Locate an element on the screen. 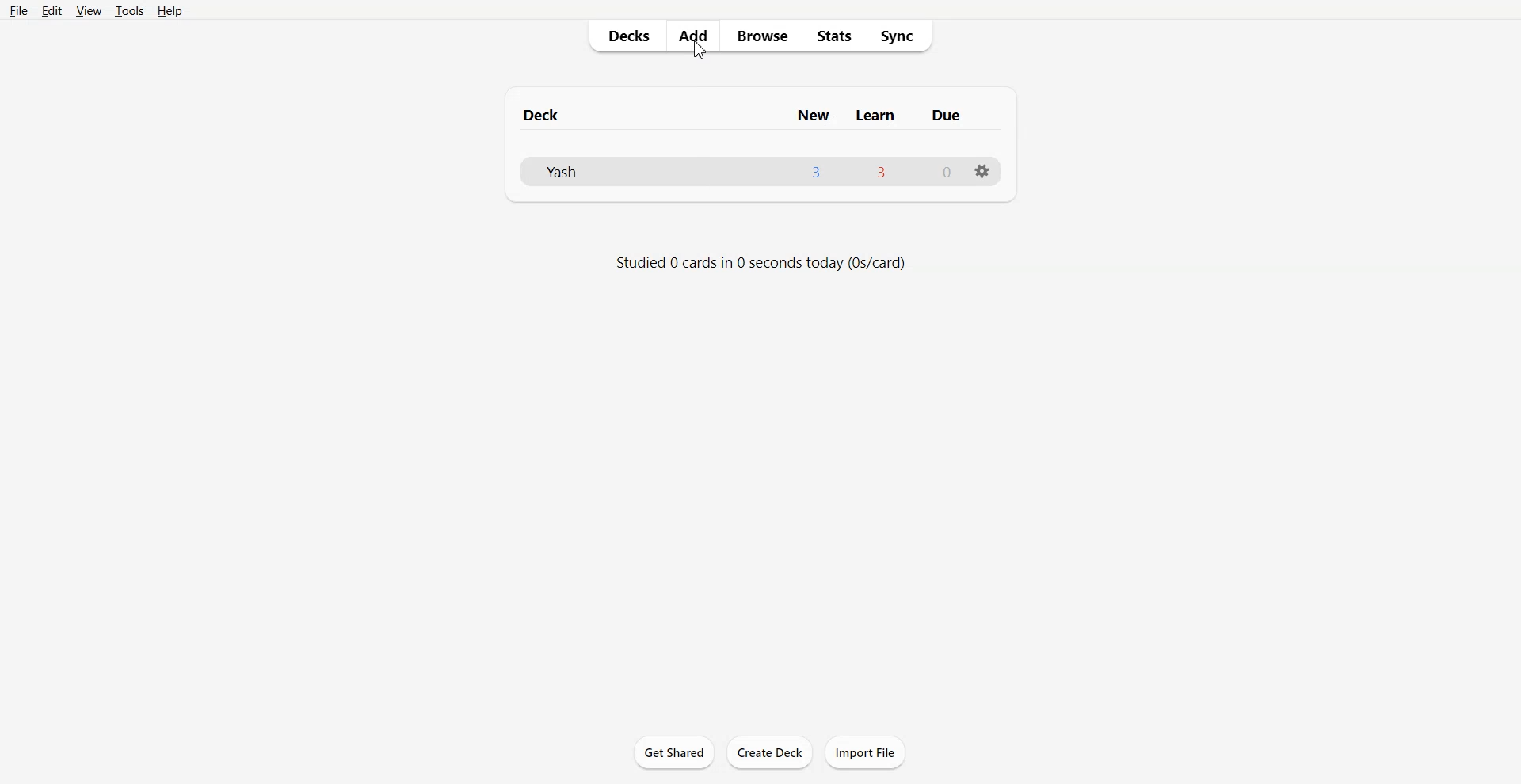 This screenshot has width=1521, height=784. learn is located at coordinates (875, 114).